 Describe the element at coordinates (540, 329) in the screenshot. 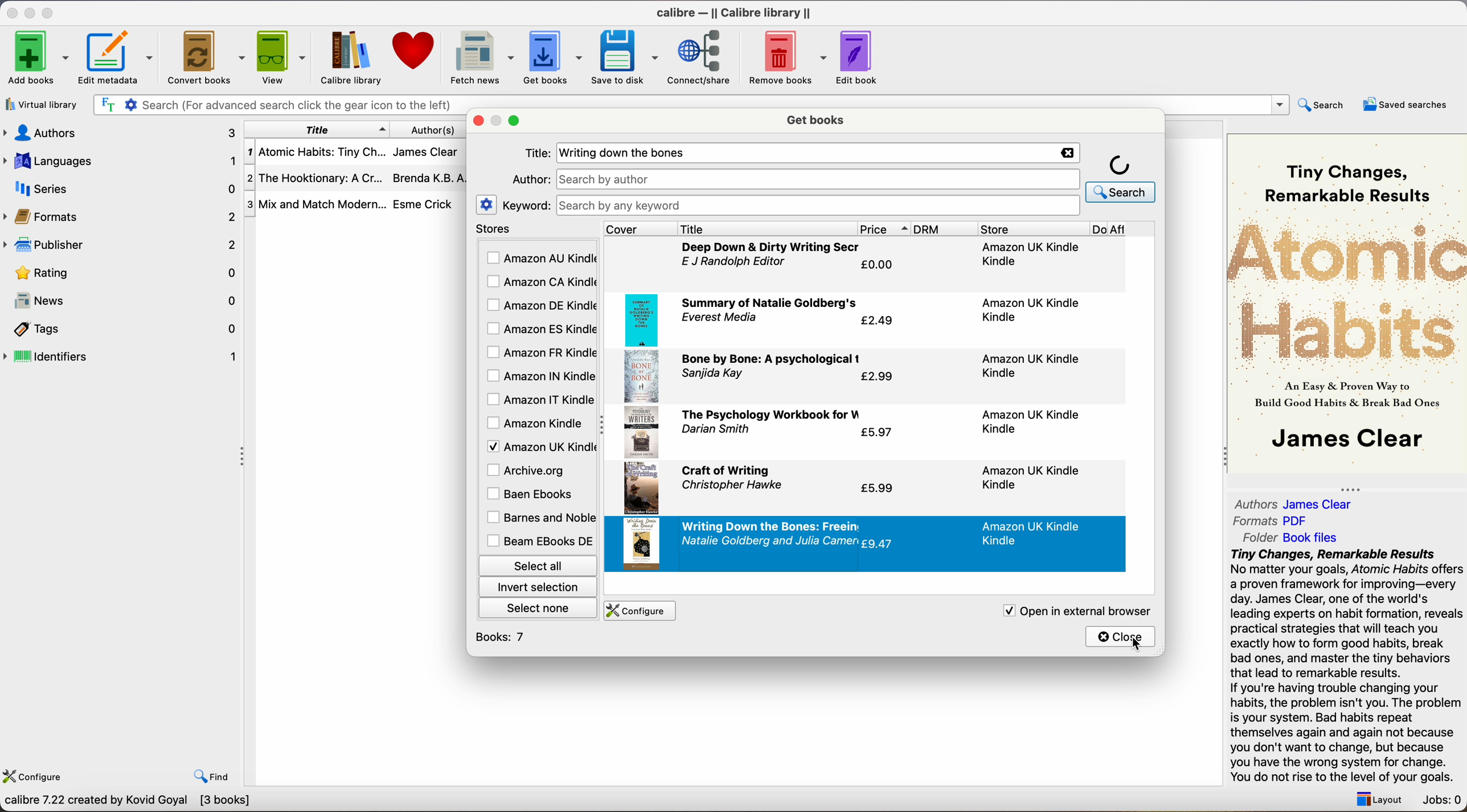

I see `Amazon ES Kindle` at that location.